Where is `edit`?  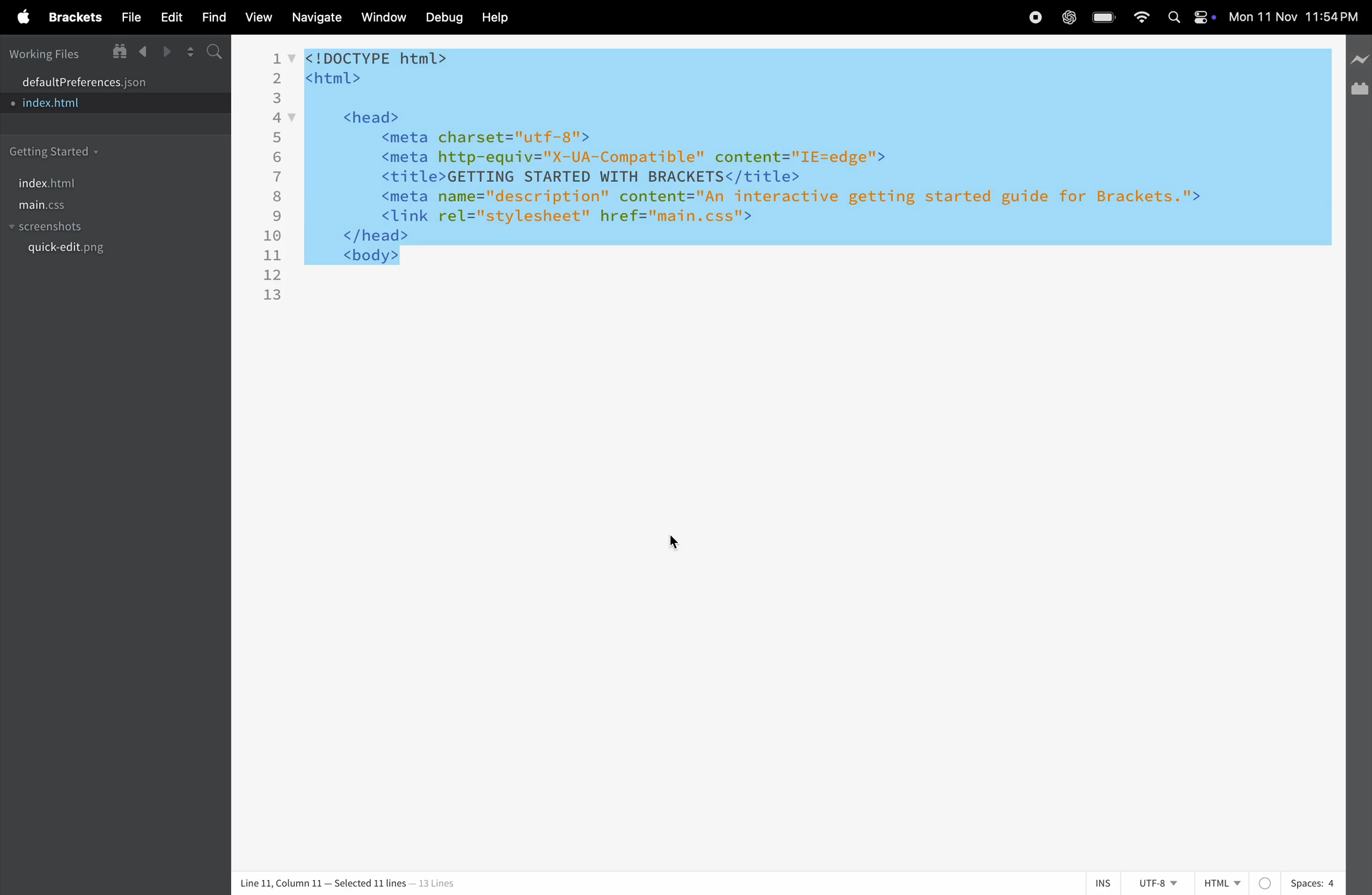
edit is located at coordinates (174, 17).